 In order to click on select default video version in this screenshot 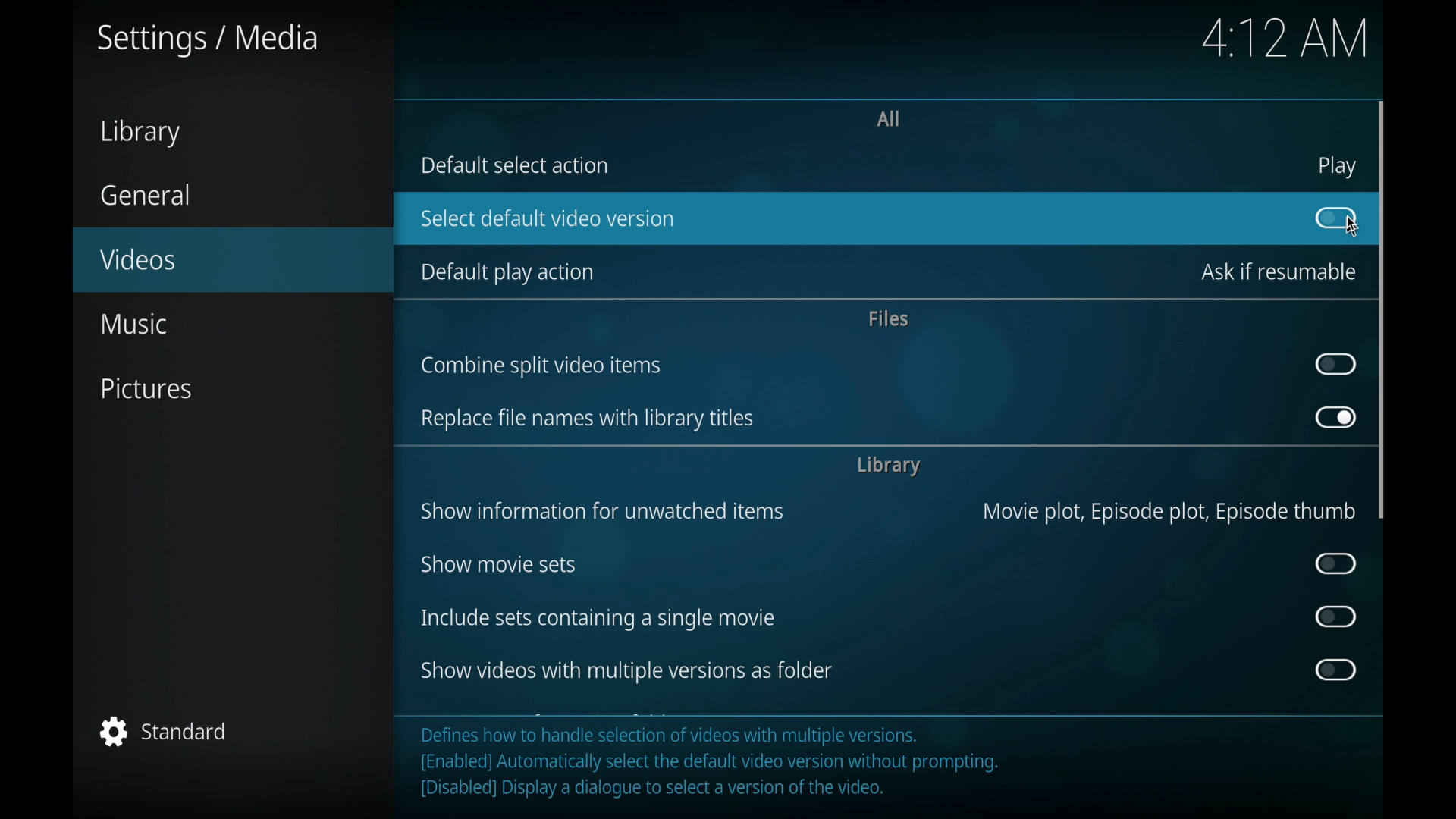, I will do `click(547, 218)`.